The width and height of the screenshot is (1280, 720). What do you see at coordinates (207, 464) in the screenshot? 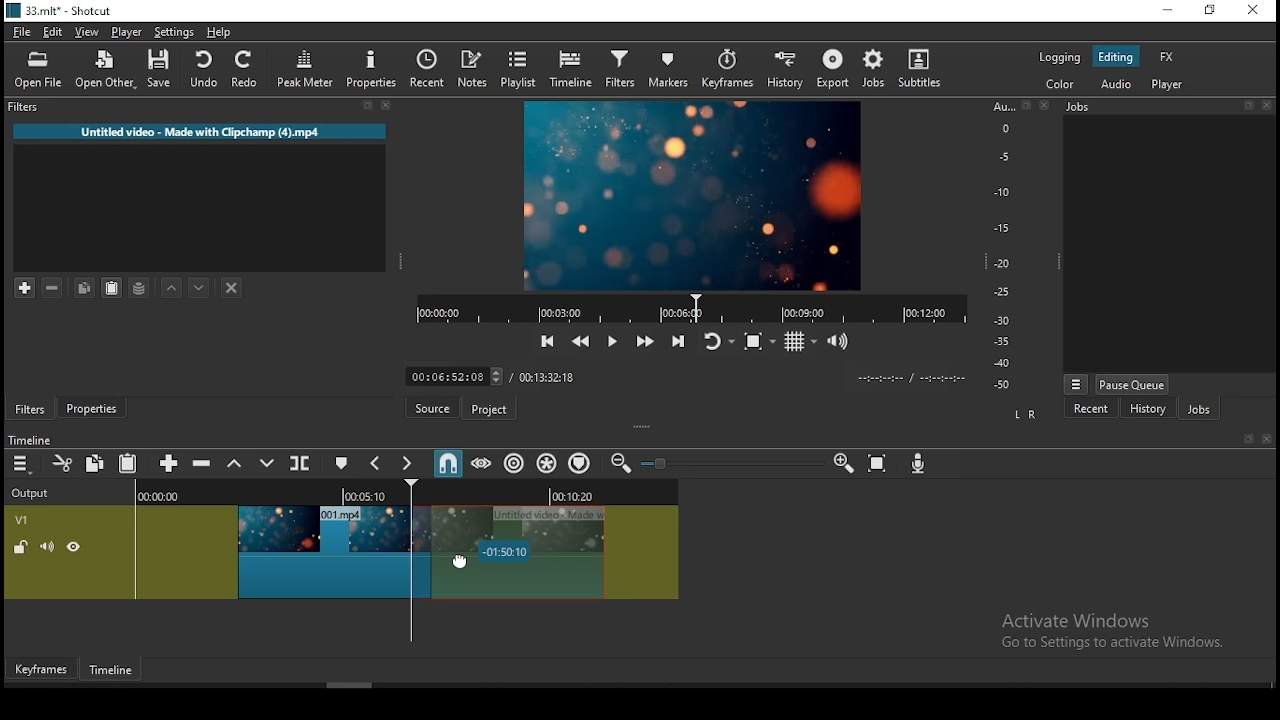
I see `ripple delete` at bounding box center [207, 464].